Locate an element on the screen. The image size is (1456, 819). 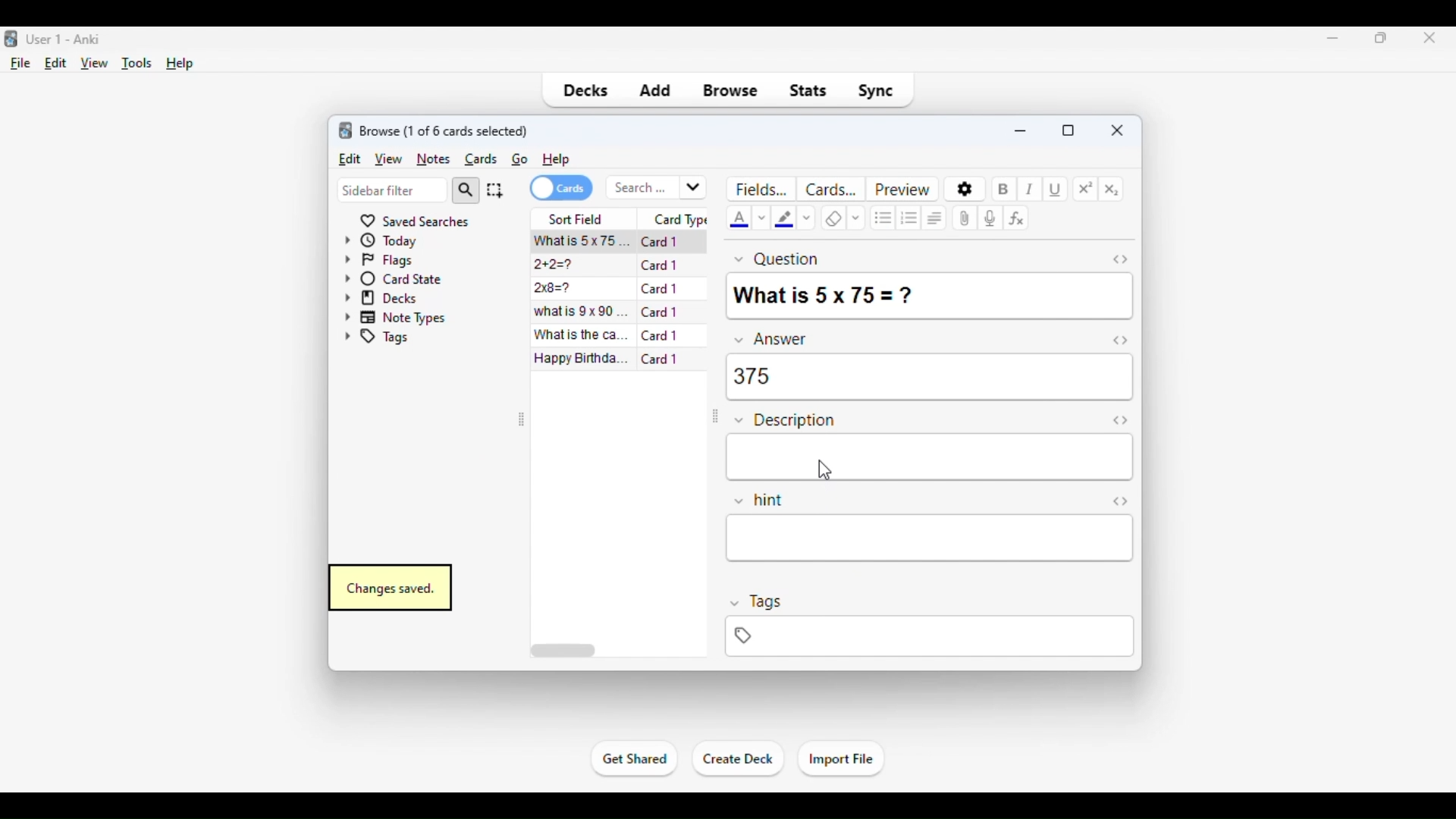
toggle HTML editor is located at coordinates (1120, 421).